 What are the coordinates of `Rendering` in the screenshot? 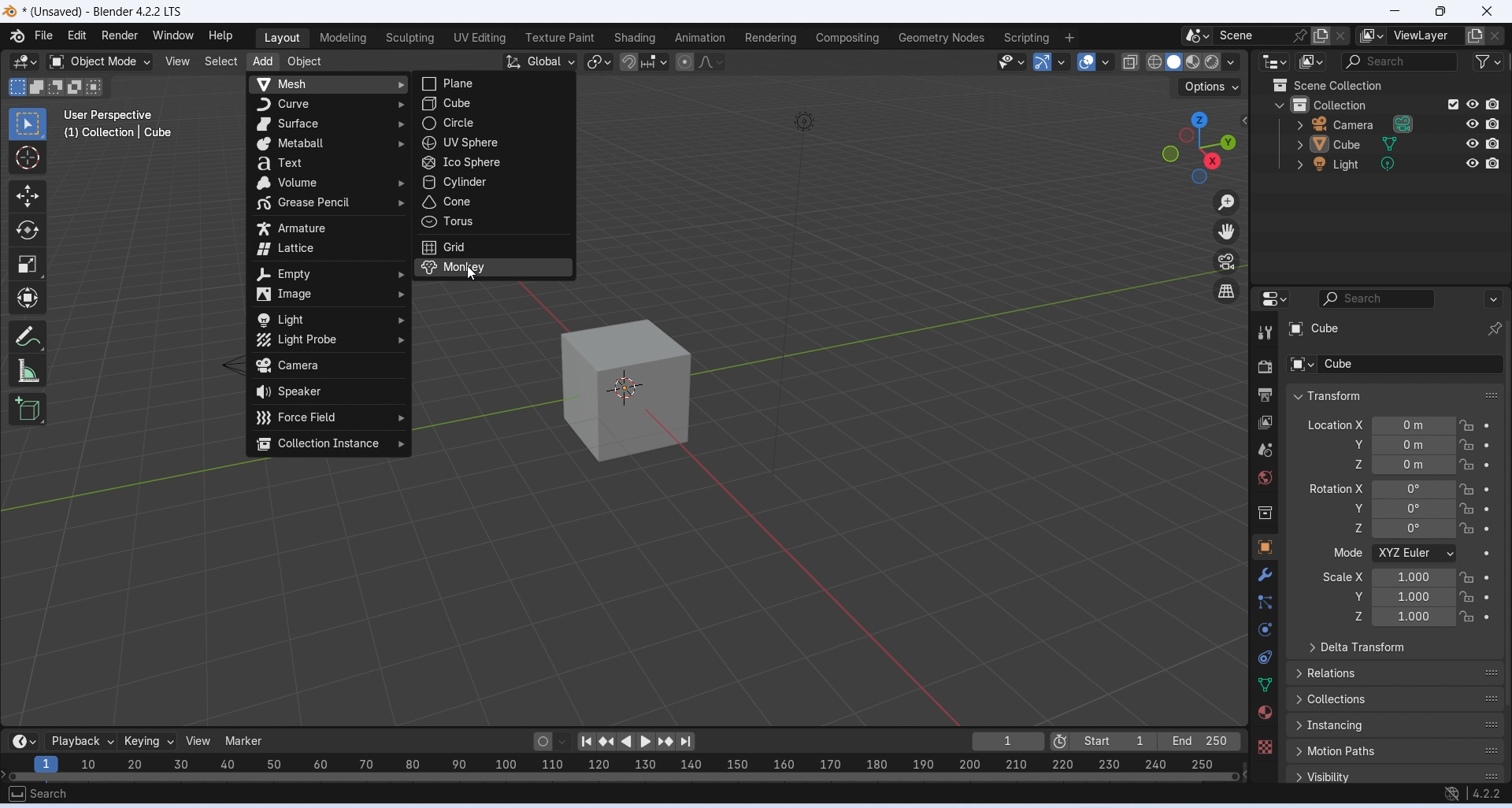 It's located at (771, 38).